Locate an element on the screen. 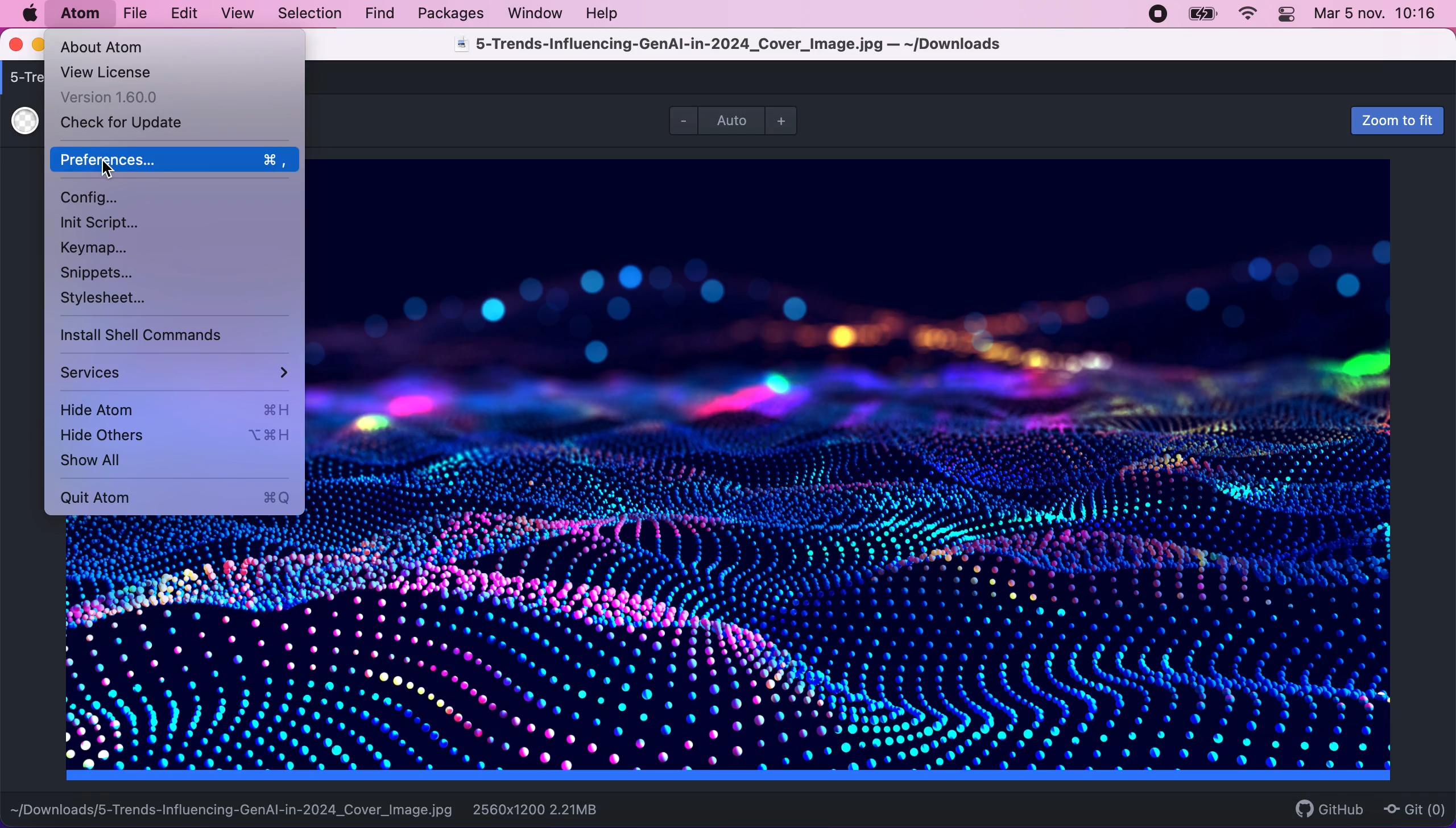 The height and width of the screenshot is (828, 1456). packages is located at coordinates (449, 14).